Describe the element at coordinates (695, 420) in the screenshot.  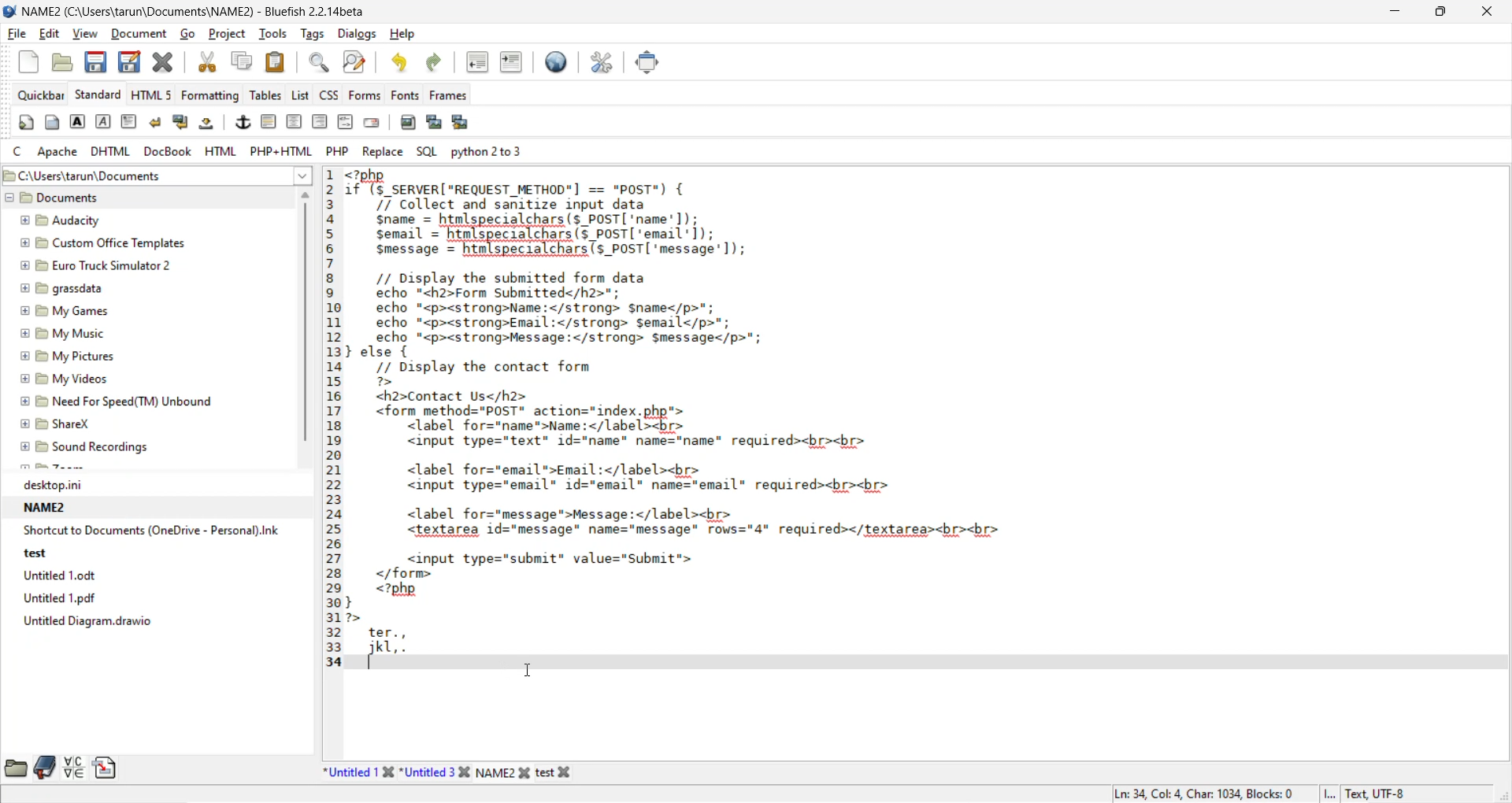
I see `<7pny£°(S_SERVER[ "REQUEST _METHOD"] == "posT") {/7 Collect and sanitize input datasname = hanlspec ialchars(s posT ‘name'1);semail = htmlspecialchars(s_POST('email']);Smessage = hin(specialeharsTs POST ‘message’ 1);// Display the submitted form dataecho "<h2>Form Submitted</h2>";echo "<p><strong>Name:</strong> Sname</p>";echo "<p><strong>Email:</strong> Semail</p>";echo "<p><strong>Message:</strong> S$message</p>";} else {// Display the contact form7><h2>Contact Us</h2><form method="POST" action="1index.php"><label fore name shane </ label <br><input type="text" 1d="name" name="name" required><br><br><label for="email">Email:</label><br><input type="email" id="email" name="email" required><br><br><label for="message*>Message:</label><br><textarea id="message" name="message" rows="4" required></textarea><br><br><input type="submit" value="Submit"></form><?php}72>ter.,pL ,.T - Code` at that location.